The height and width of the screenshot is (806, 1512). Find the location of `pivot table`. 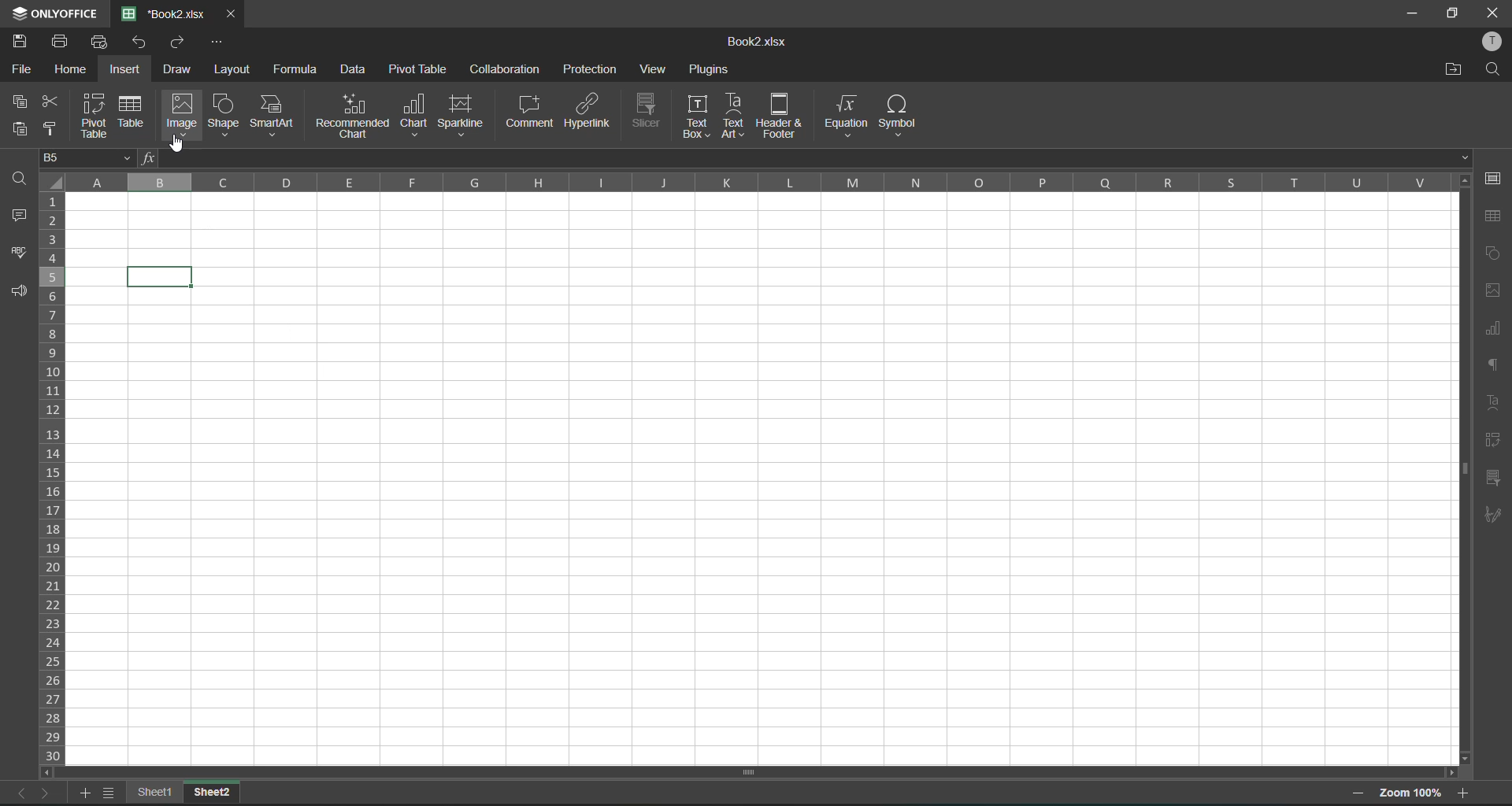

pivot table is located at coordinates (1496, 440).